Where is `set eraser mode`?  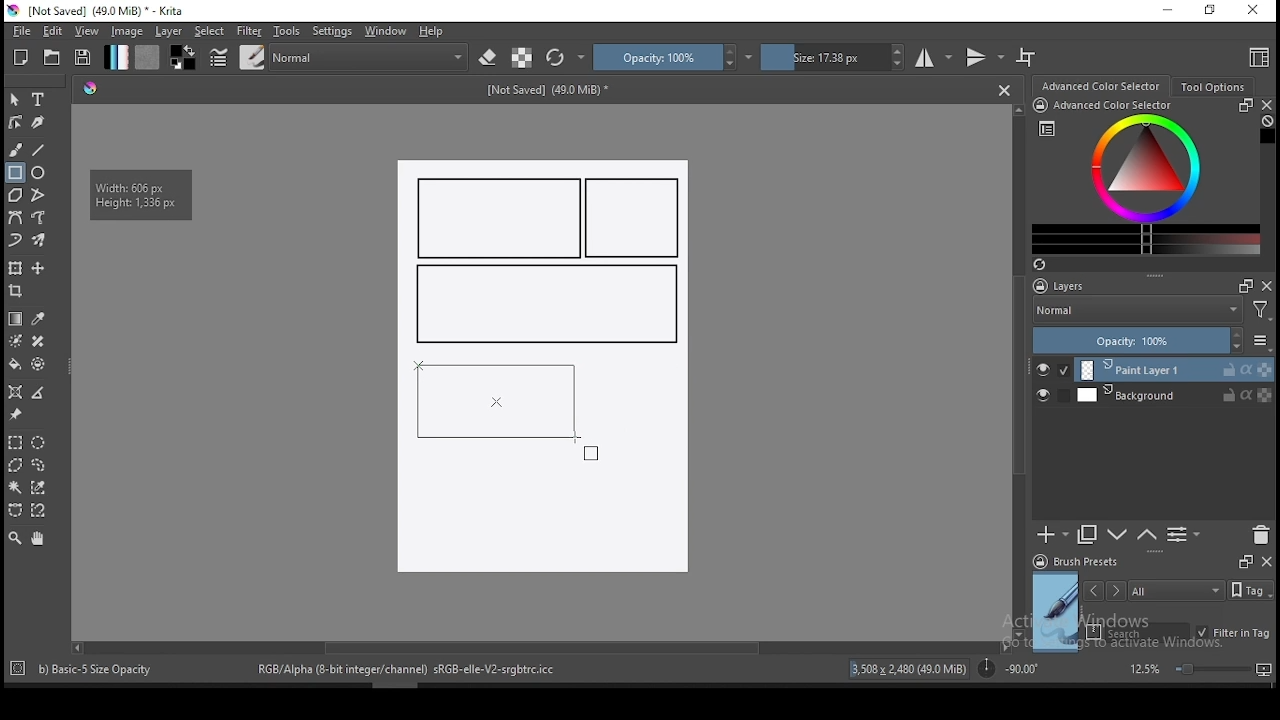 set eraser mode is located at coordinates (490, 58).